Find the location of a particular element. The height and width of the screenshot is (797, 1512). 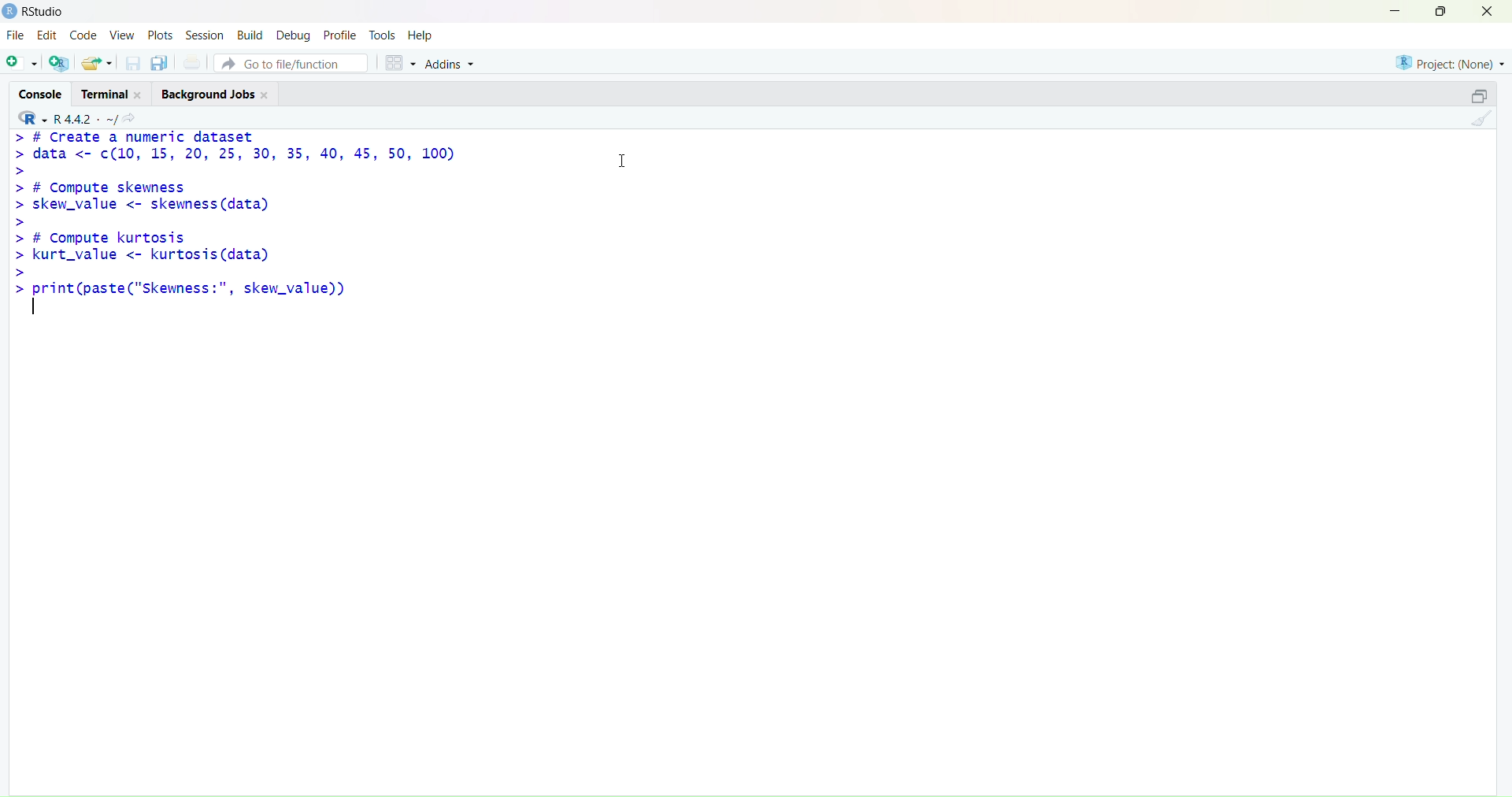

View is located at coordinates (120, 36).